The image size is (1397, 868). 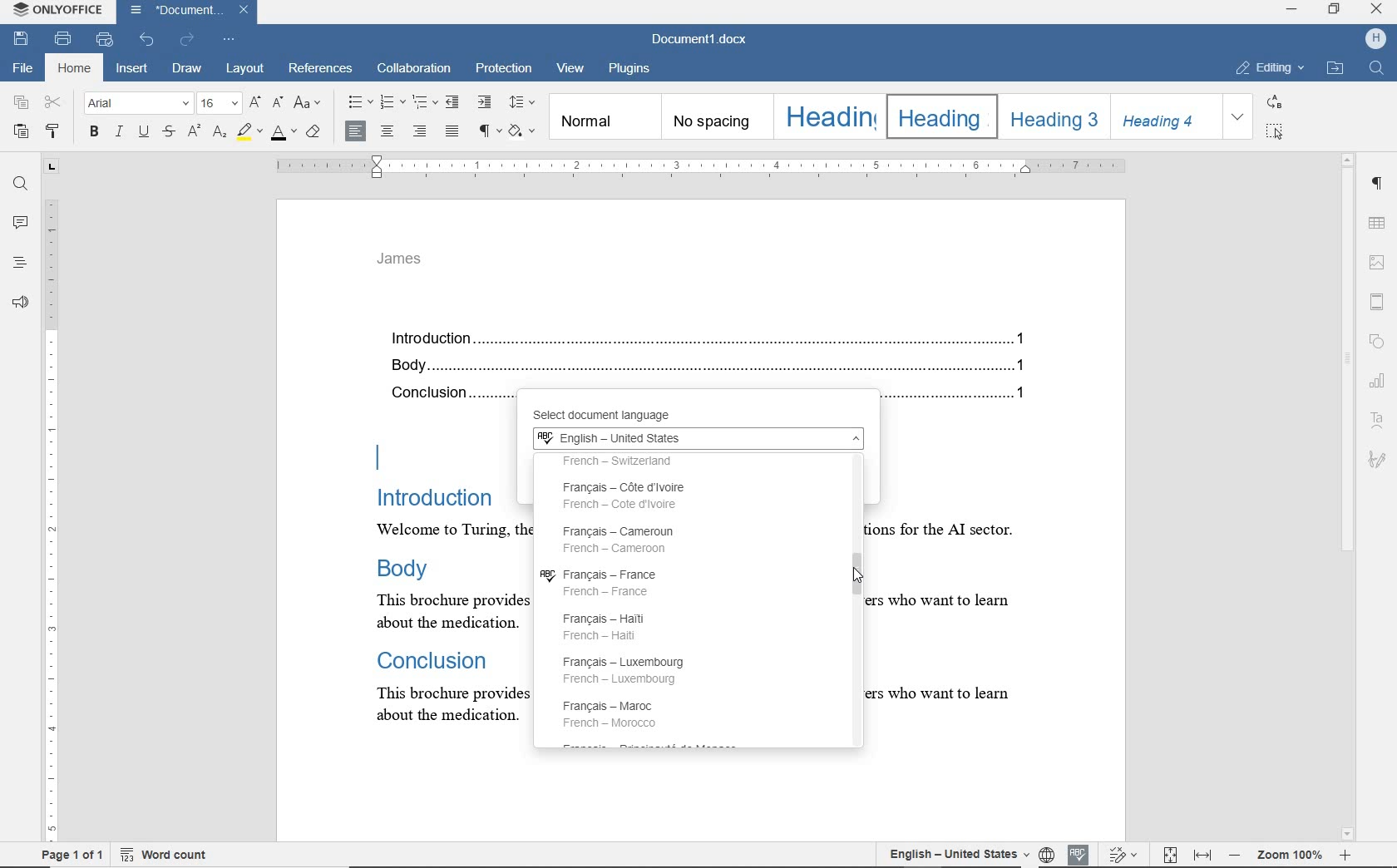 I want to click on insert, so click(x=131, y=69).